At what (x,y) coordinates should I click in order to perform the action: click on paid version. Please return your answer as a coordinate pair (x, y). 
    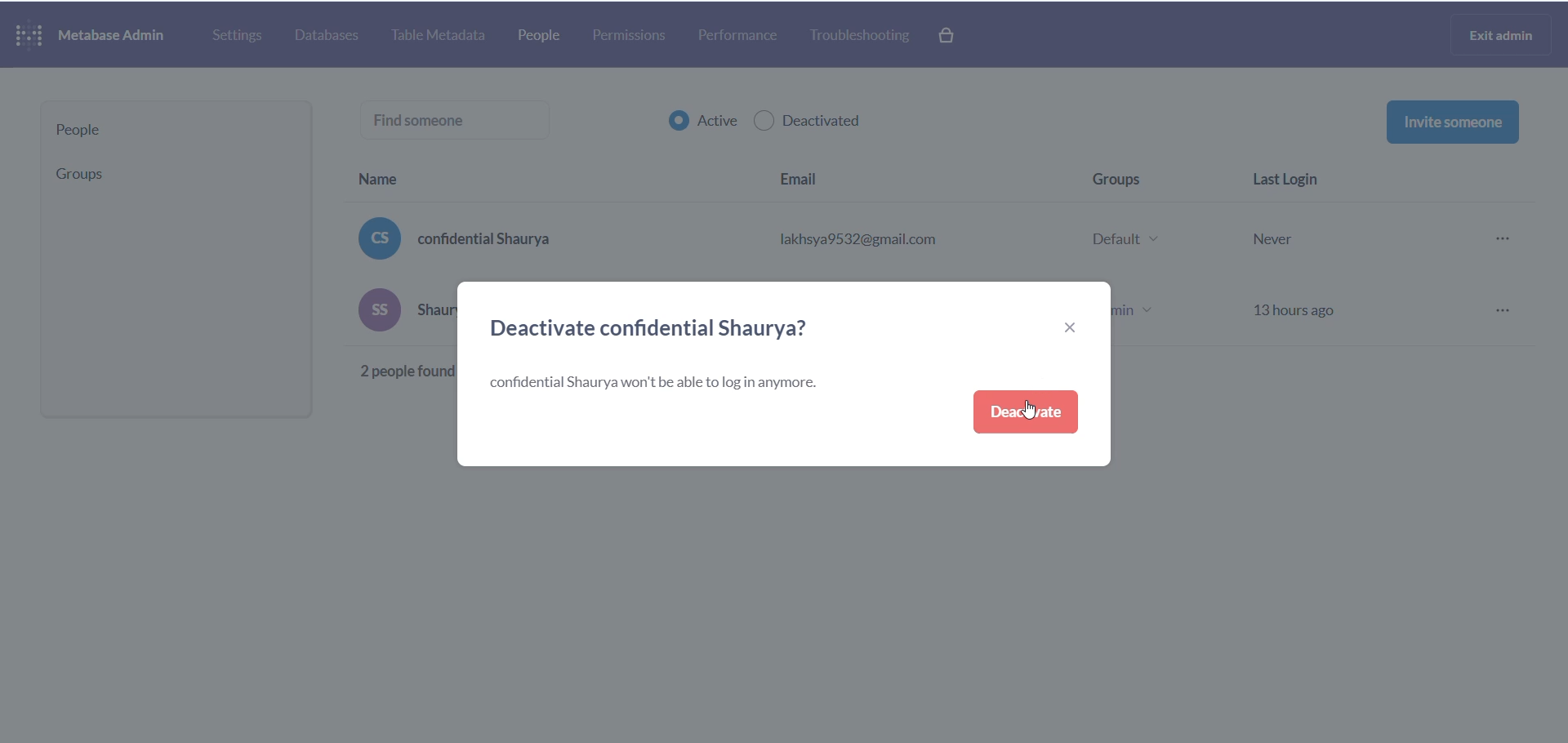
    Looking at the image, I should click on (949, 34).